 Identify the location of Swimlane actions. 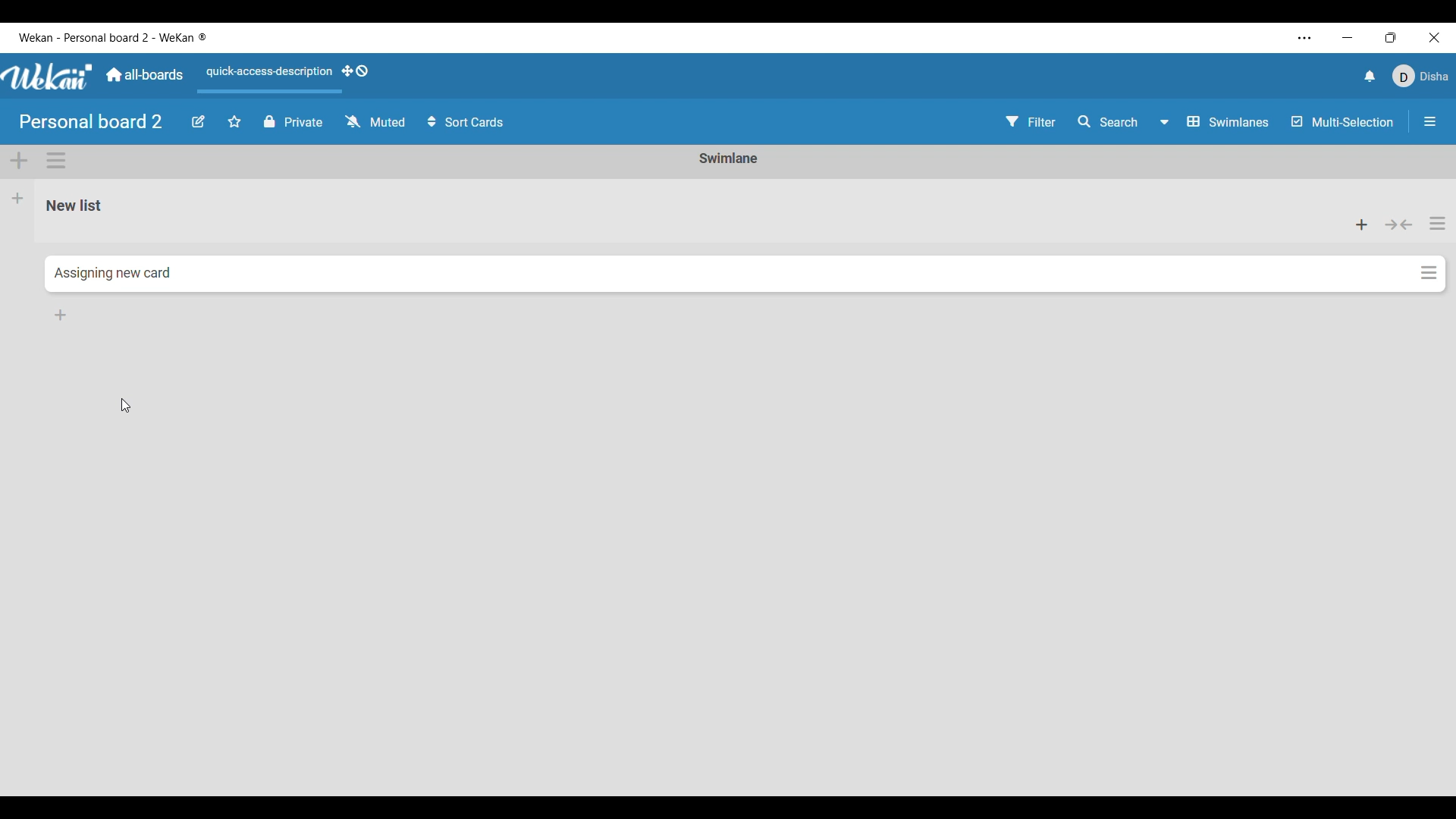
(56, 161).